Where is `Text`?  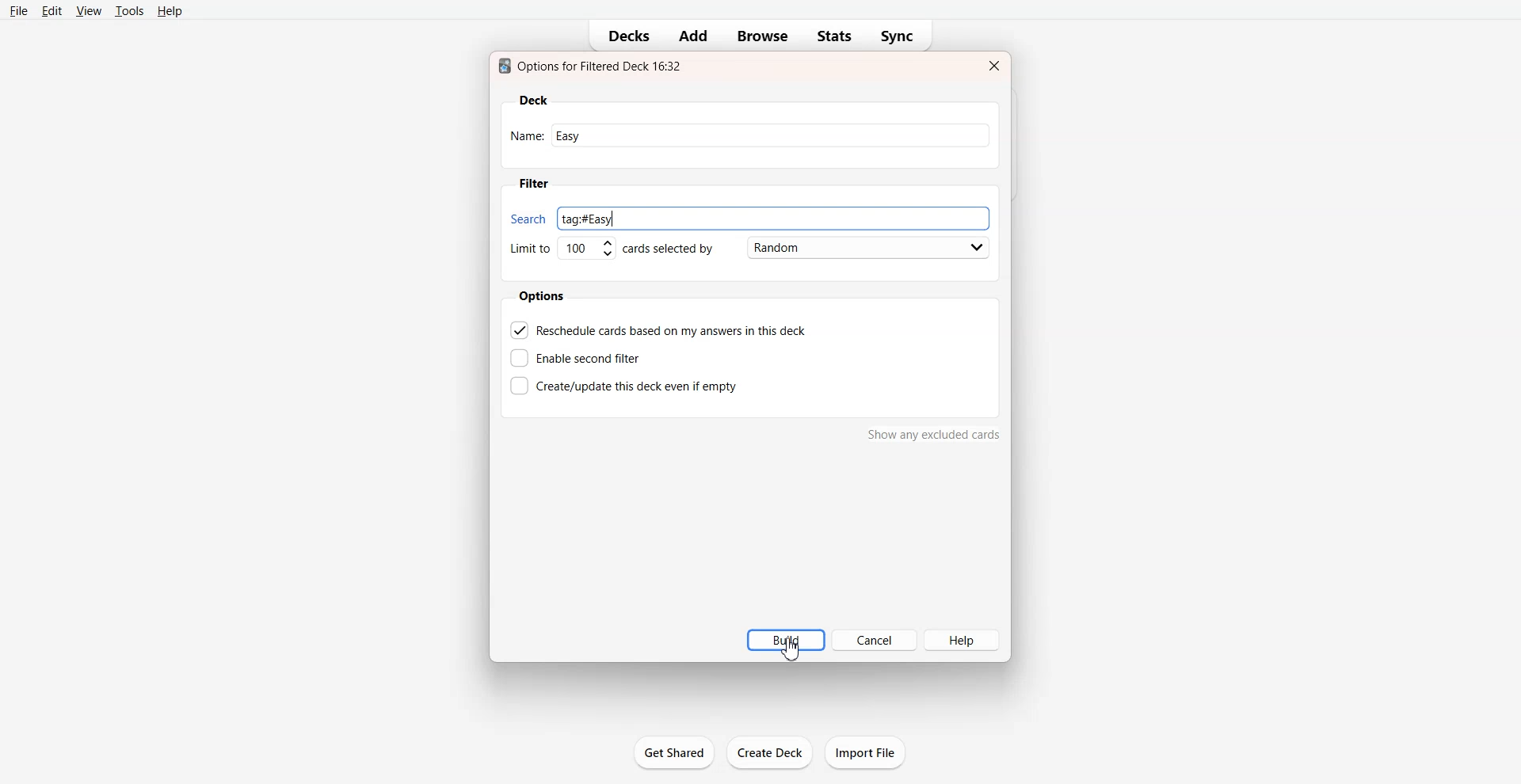
Text is located at coordinates (593, 66).